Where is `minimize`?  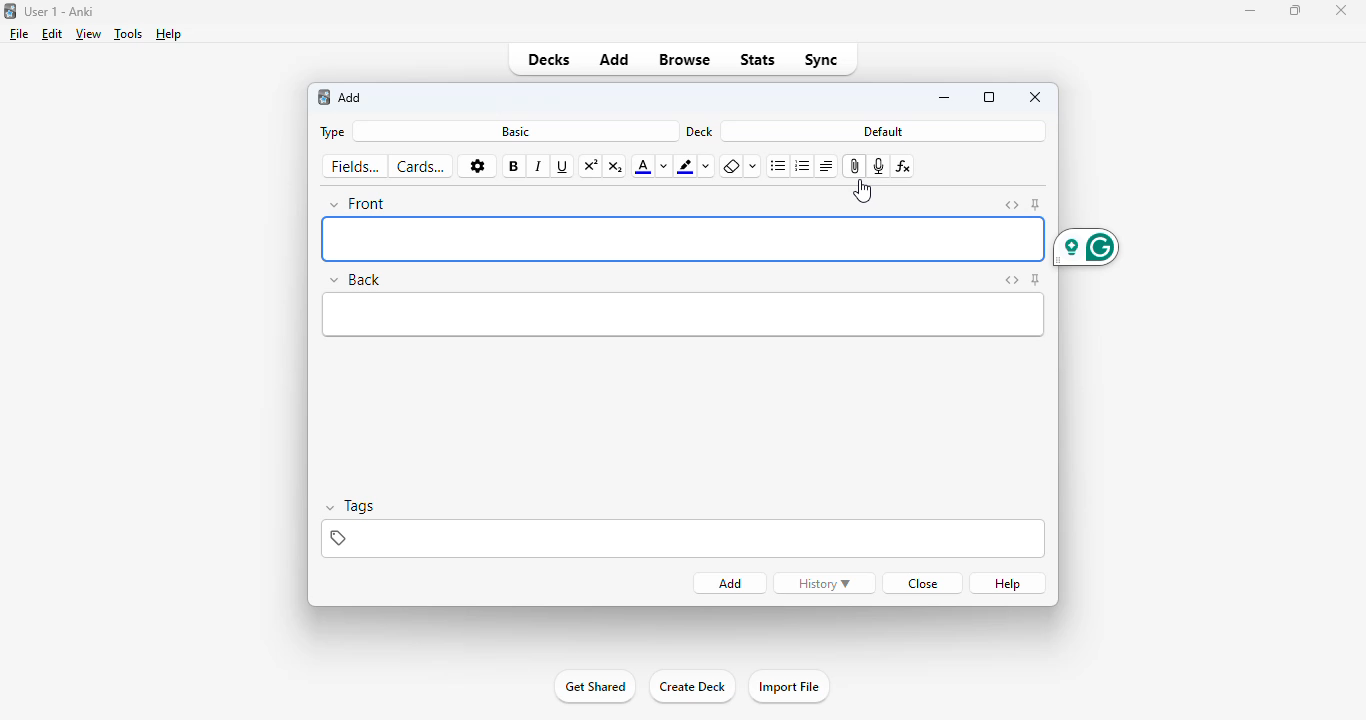
minimize is located at coordinates (1250, 11).